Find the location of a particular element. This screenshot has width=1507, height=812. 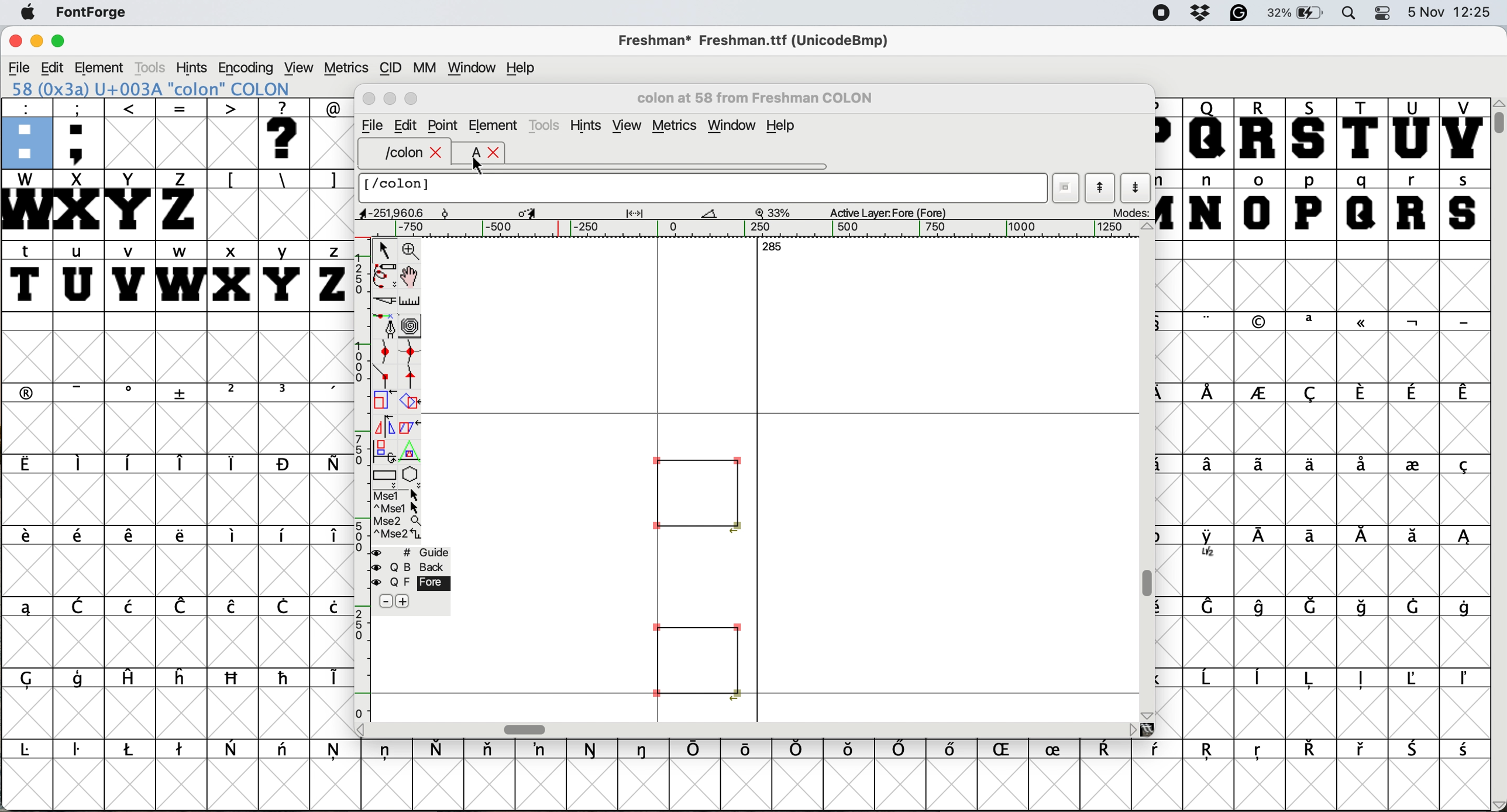

@ is located at coordinates (331, 106).